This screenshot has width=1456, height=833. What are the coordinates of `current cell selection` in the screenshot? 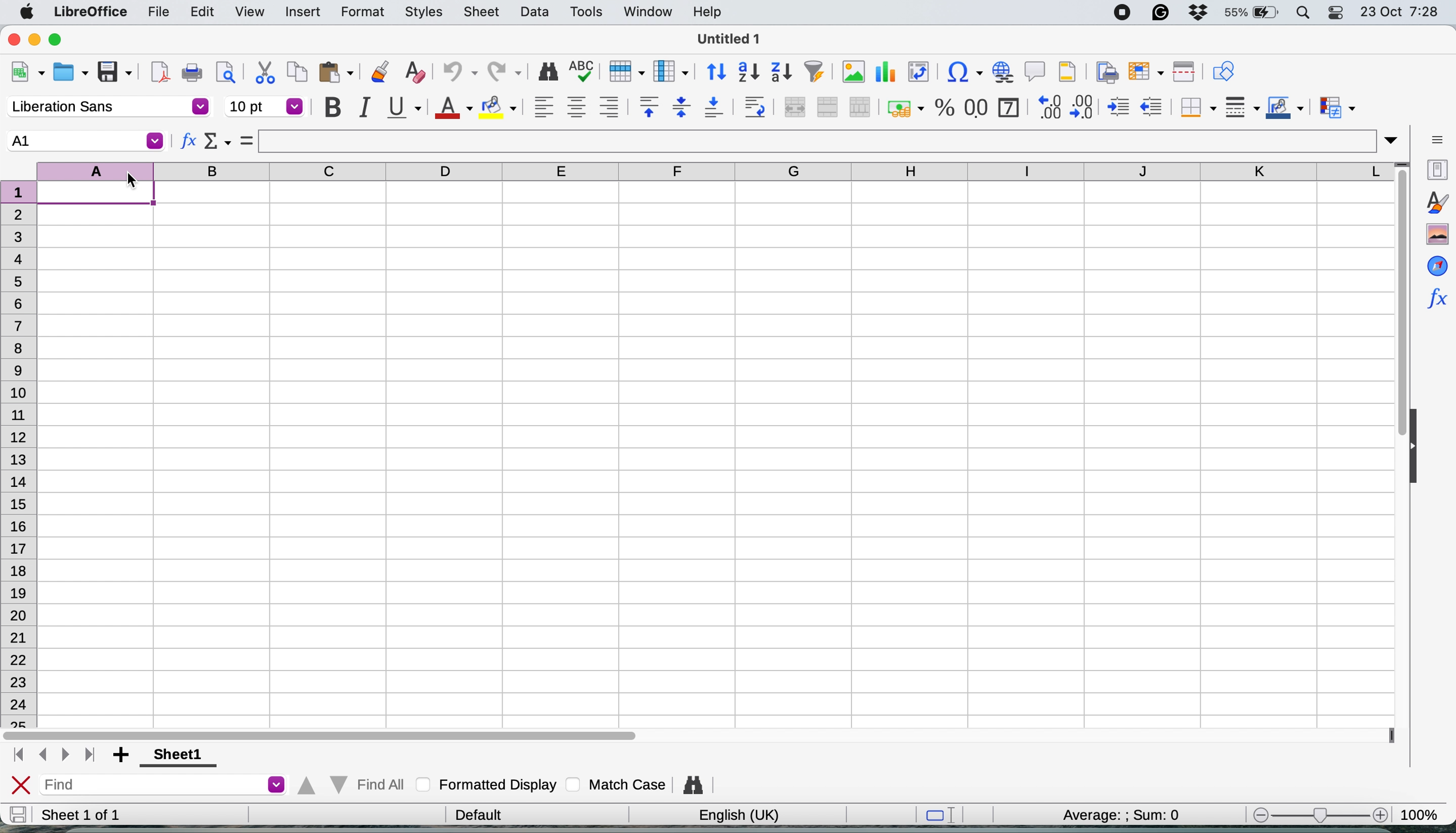 It's located at (82, 140).